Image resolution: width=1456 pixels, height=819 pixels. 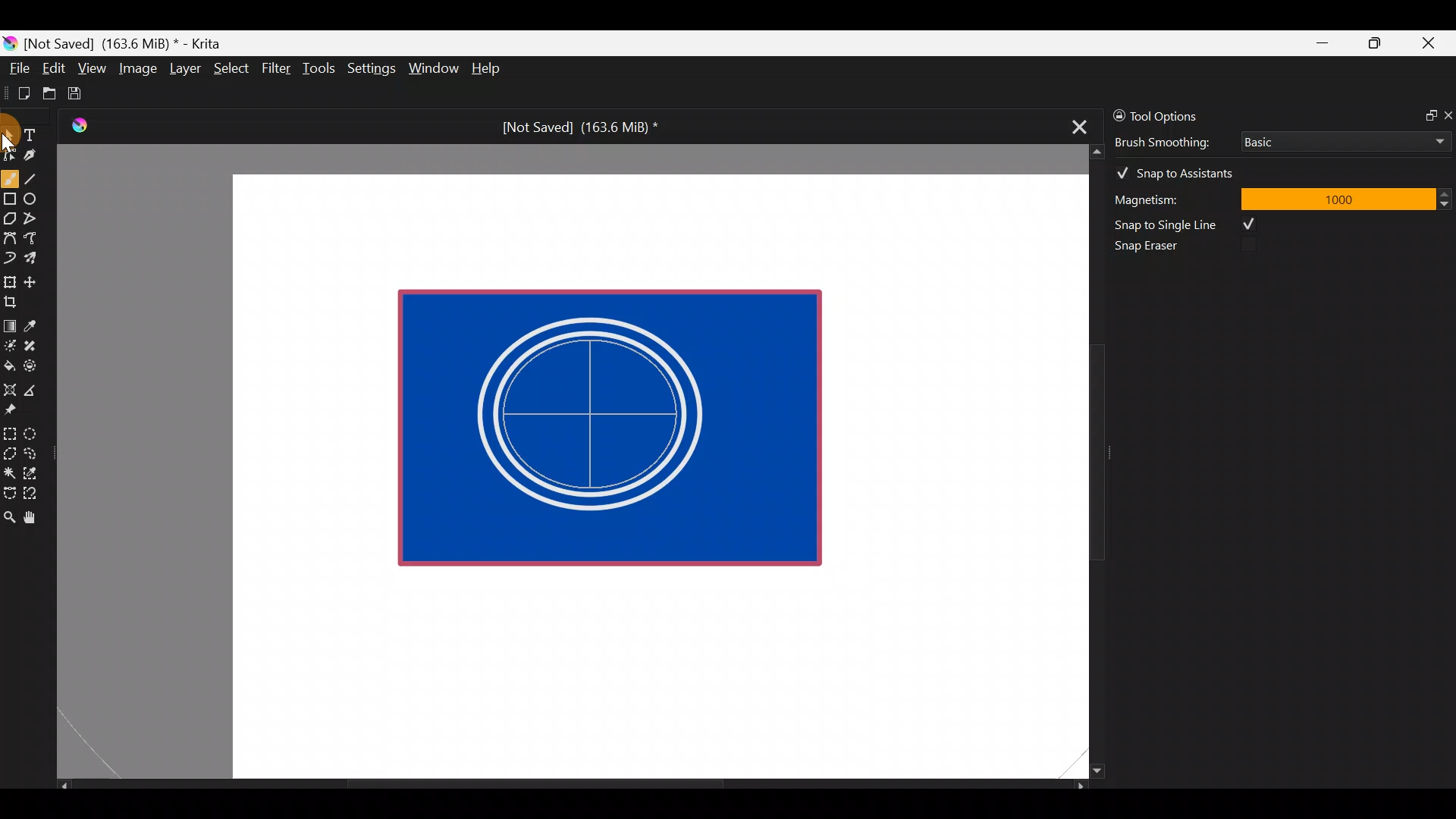 What do you see at coordinates (36, 257) in the screenshot?
I see `Multibrush tool` at bounding box center [36, 257].